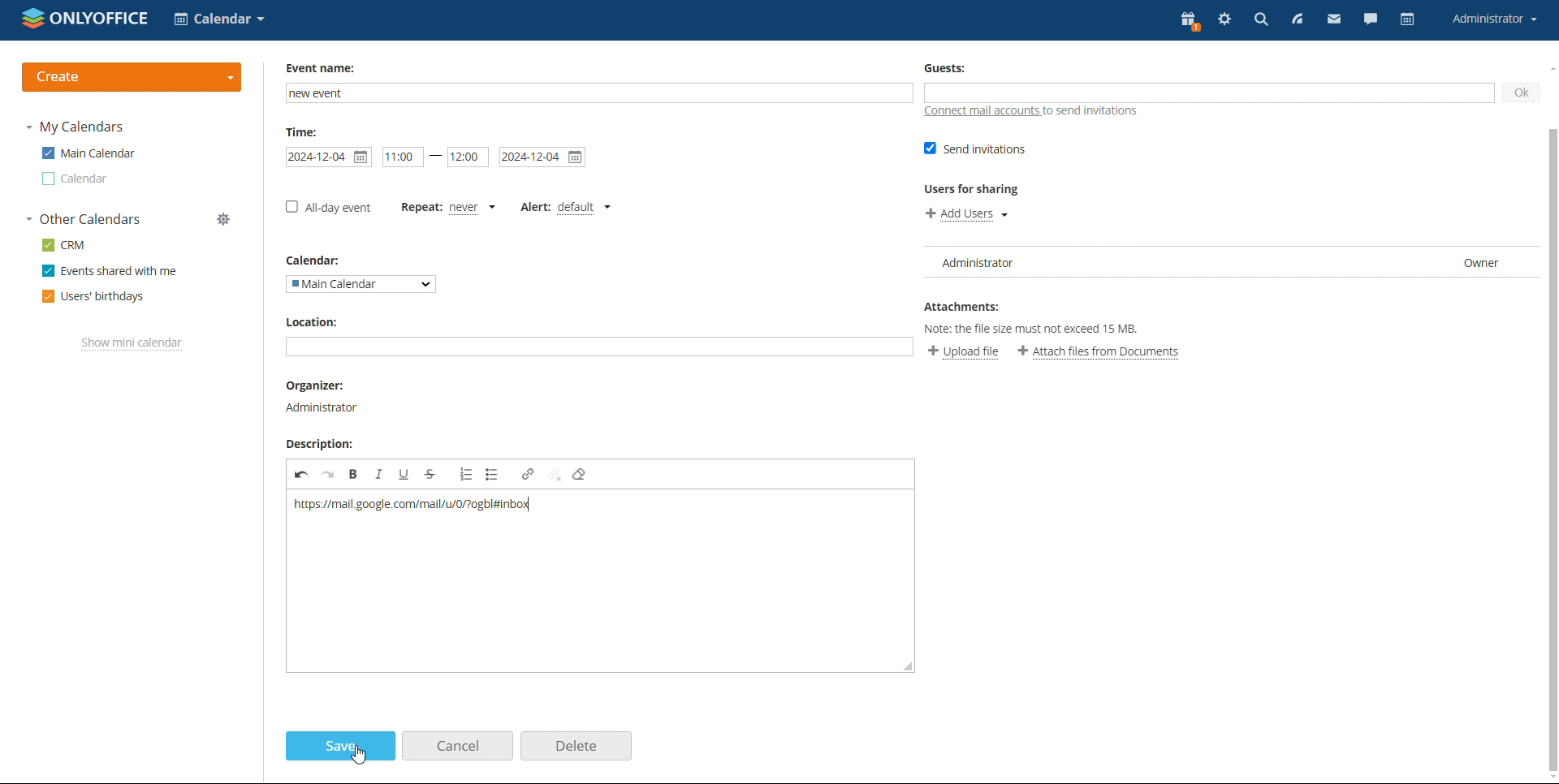 Image resolution: width=1559 pixels, height=784 pixels. Describe the element at coordinates (322, 69) in the screenshot. I see `Event name:` at that location.